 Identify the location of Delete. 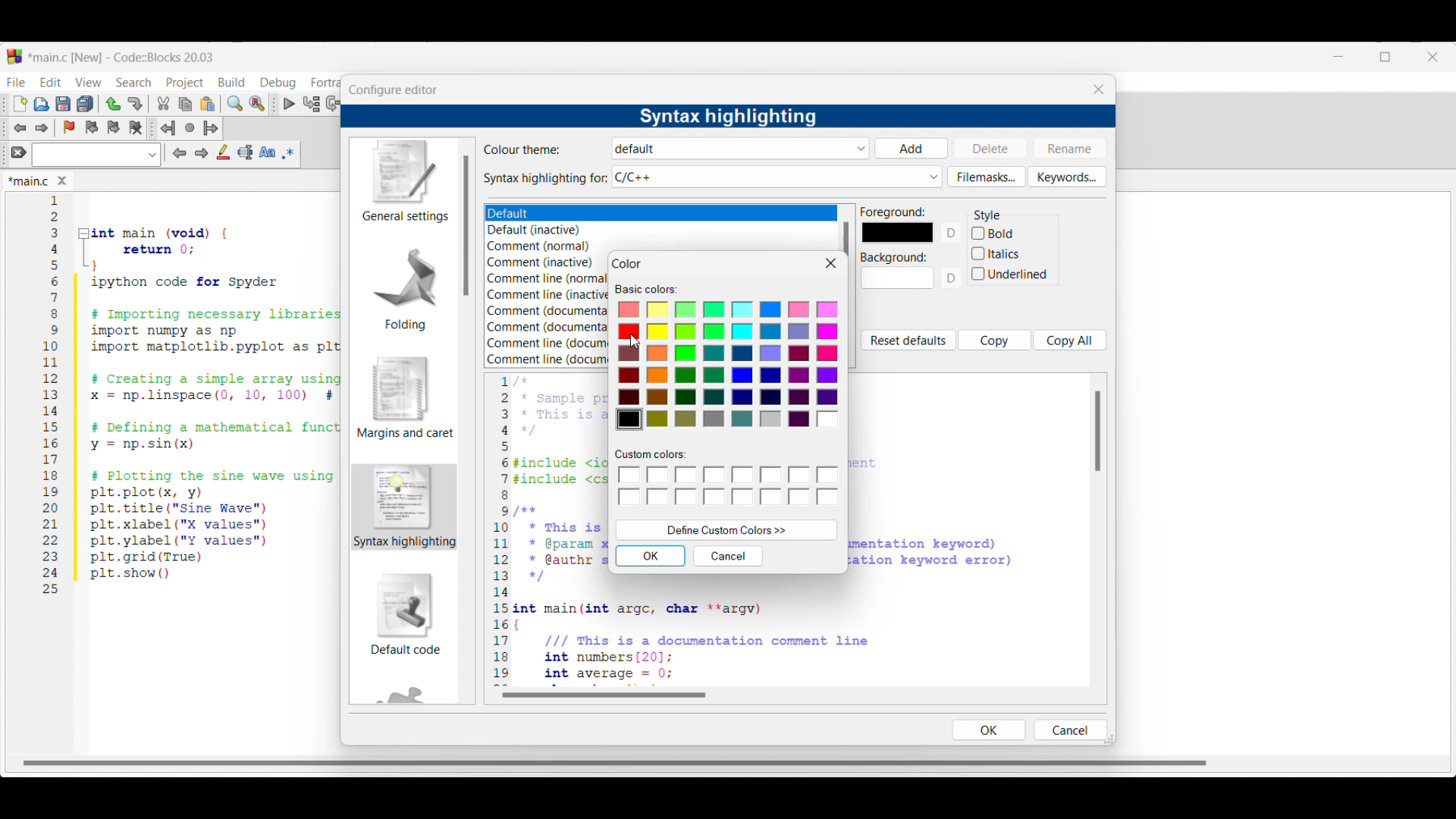
(991, 147).